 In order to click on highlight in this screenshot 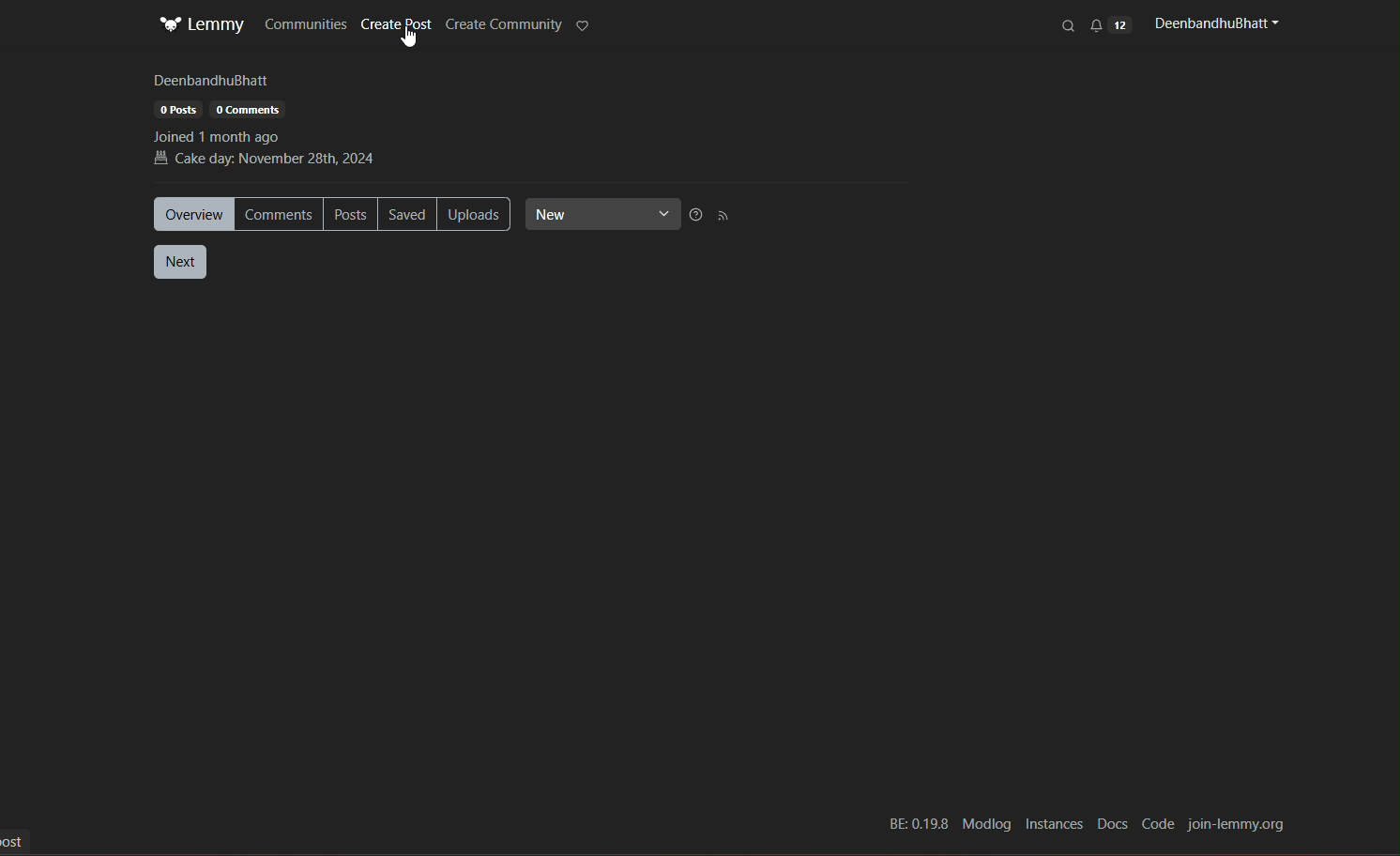, I will do `click(585, 27)`.